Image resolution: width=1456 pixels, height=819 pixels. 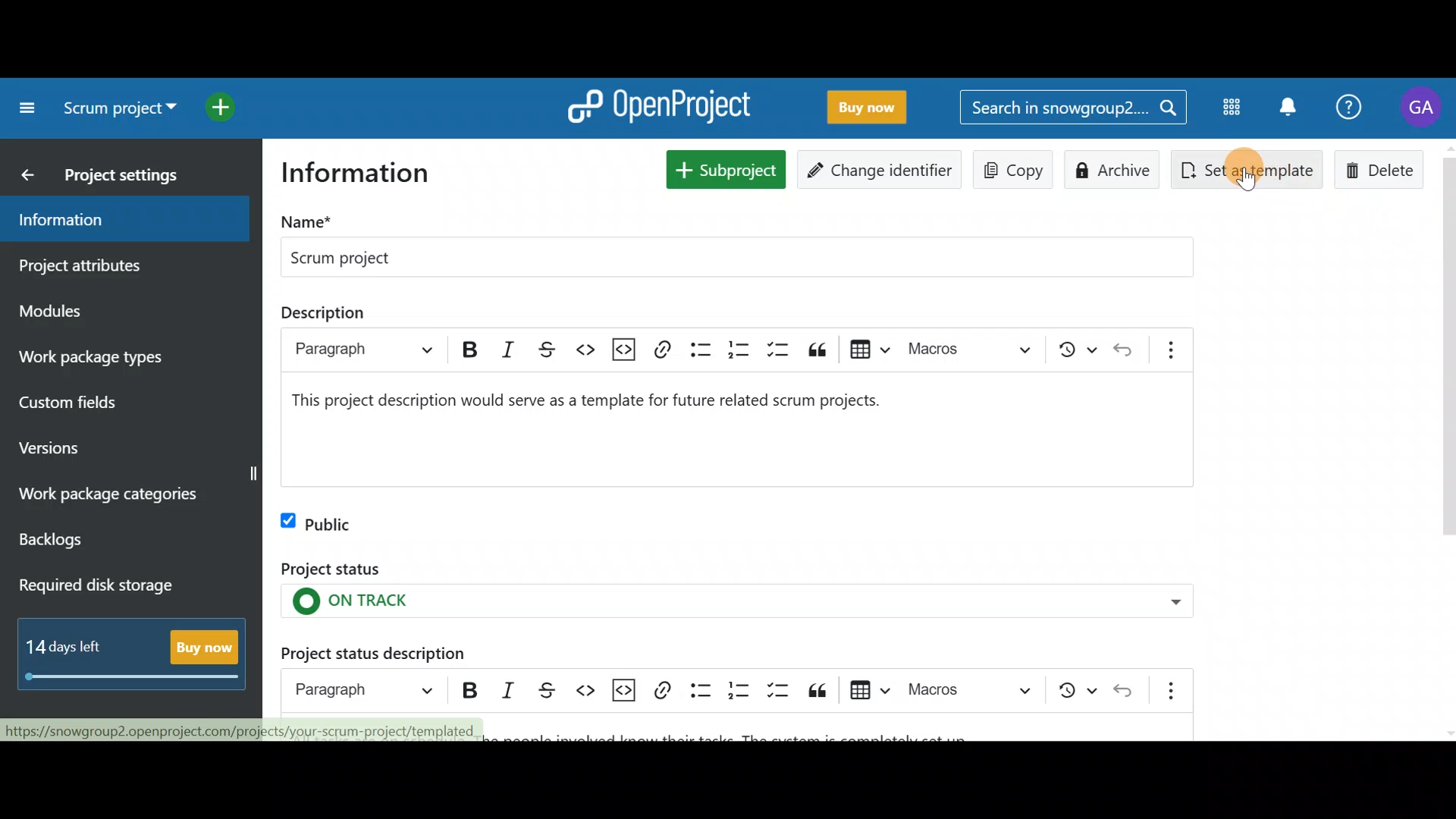 I want to click on description, so click(x=323, y=313).